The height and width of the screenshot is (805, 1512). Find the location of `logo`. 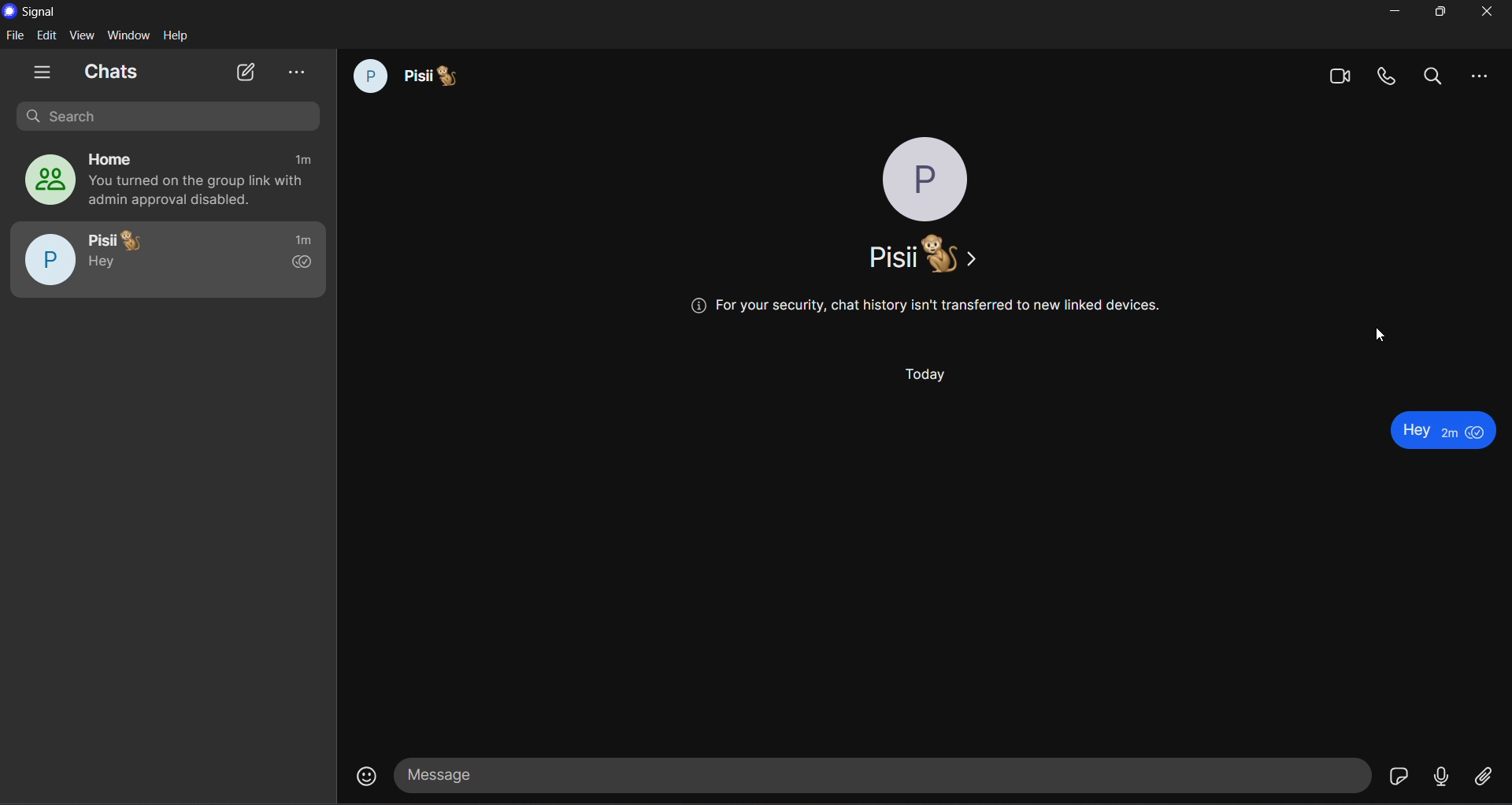

logo is located at coordinates (10, 10).